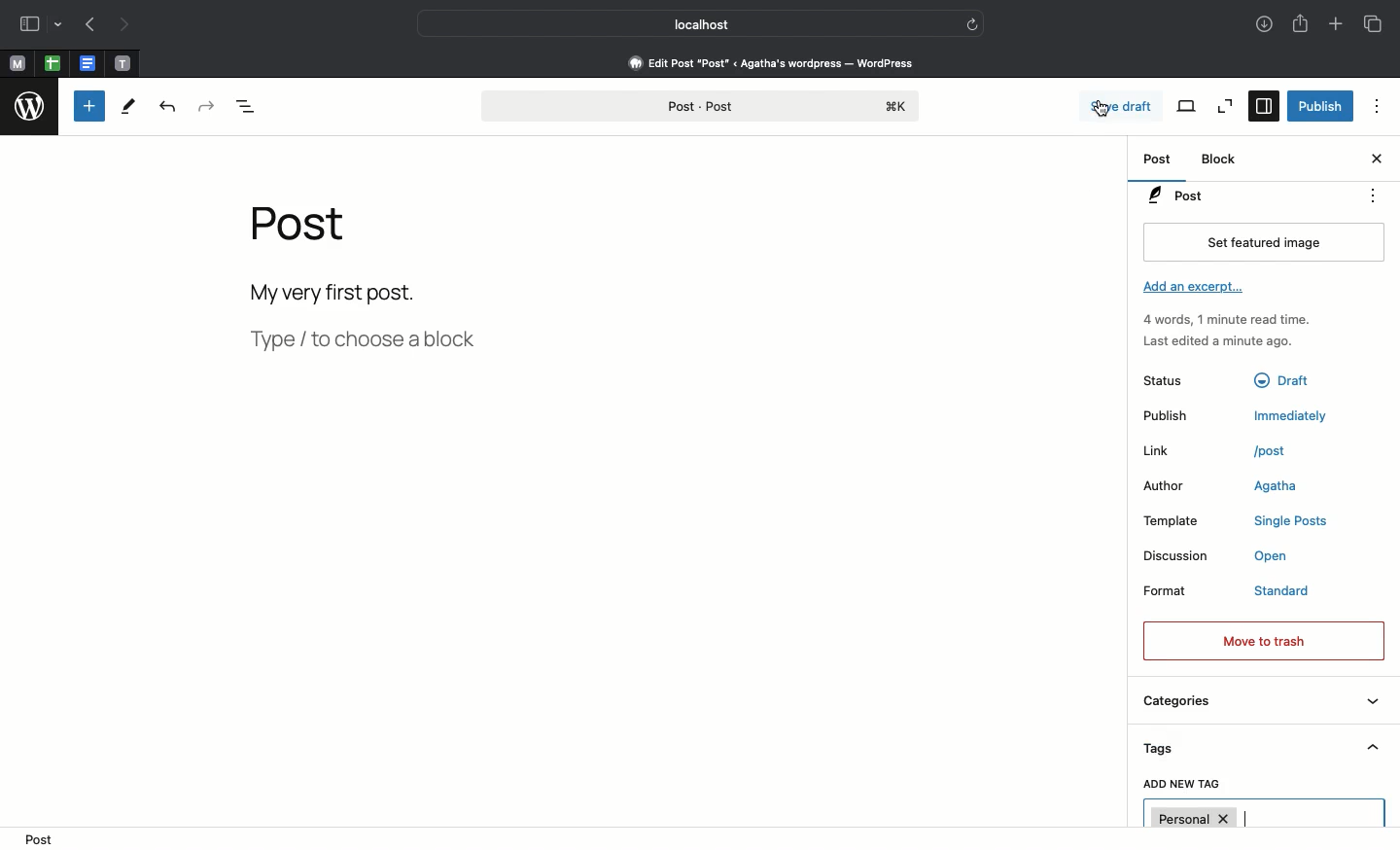  I want to click on Post, so click(1240, 195).